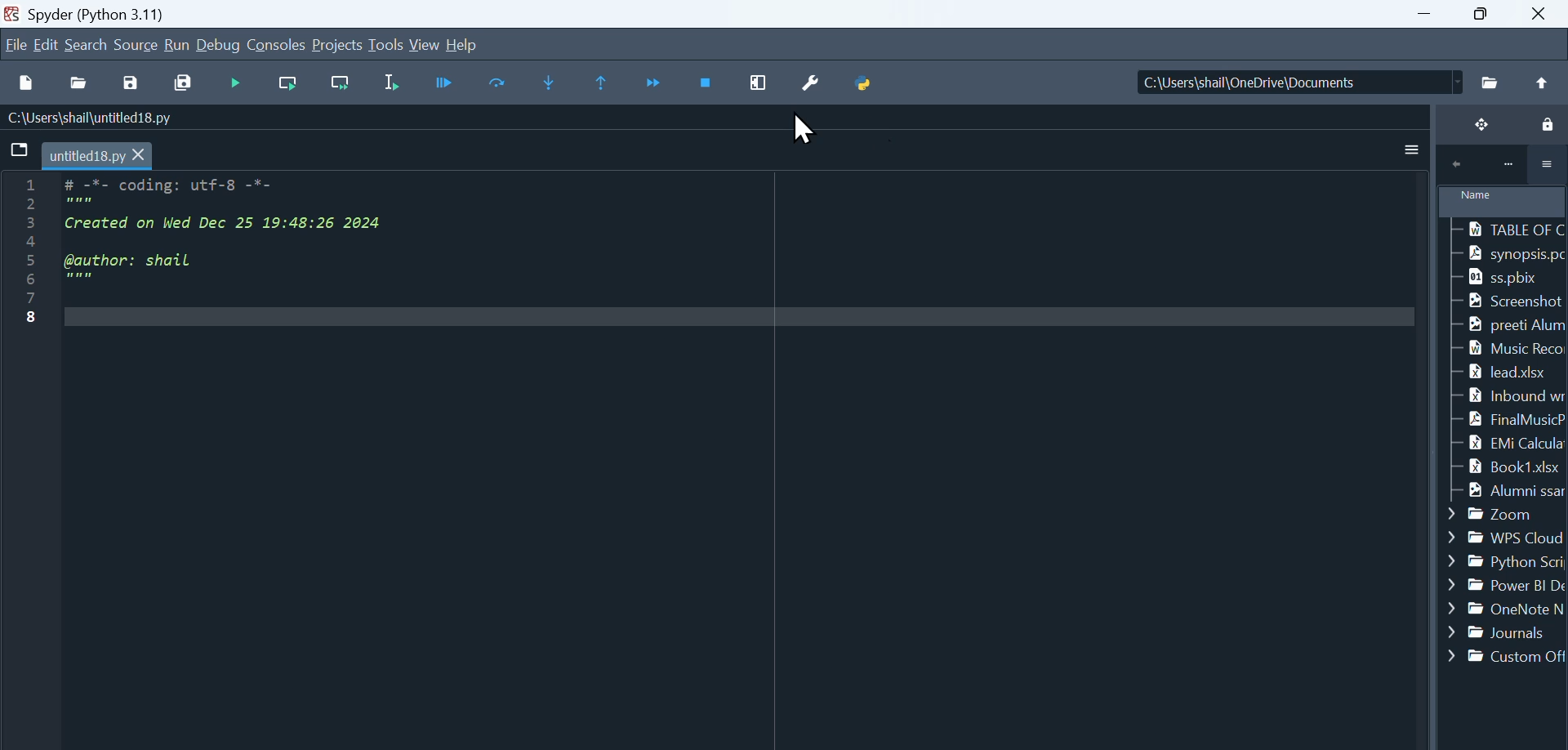 The height and width of the screenshot is (750, 1568). Describe the element at coordinates (1478, 126) in the screenshot. I see `unlock position` at that location.